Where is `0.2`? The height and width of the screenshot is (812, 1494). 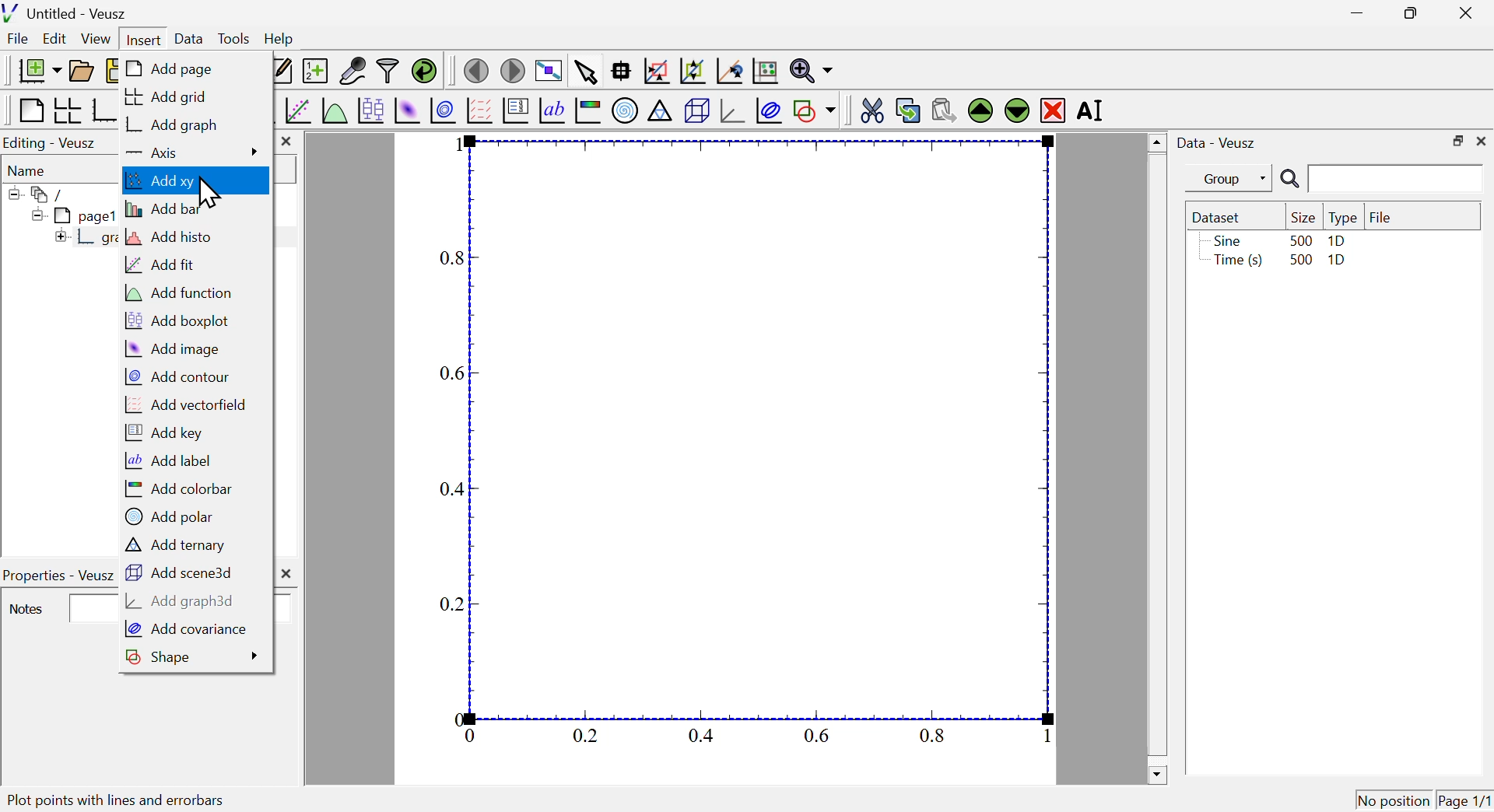
0.2 is located at coordinates (585, 736).